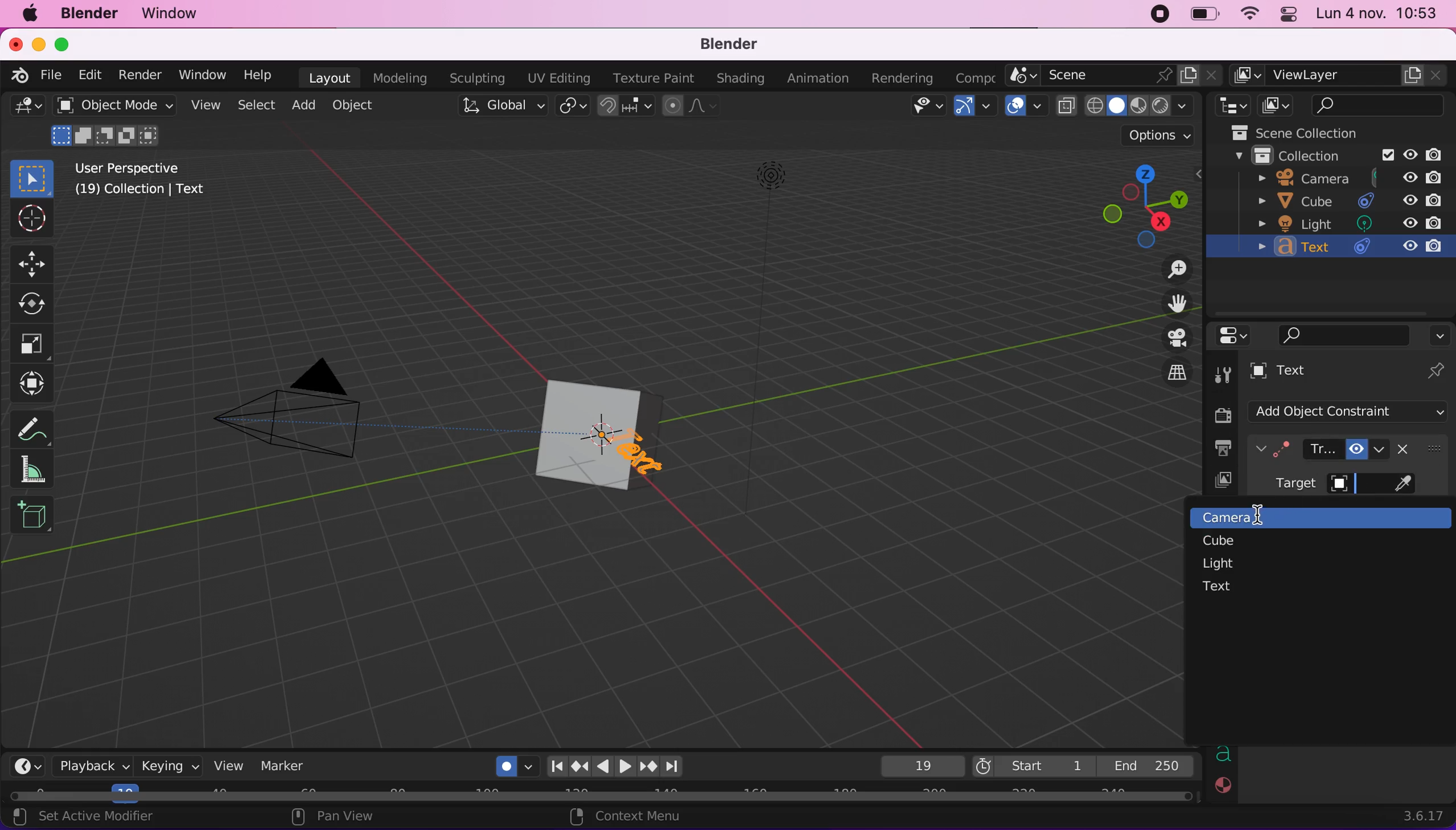 The height and width of the screenshot is (830, 1456). I want to click on uv editing, so click(561, 76).